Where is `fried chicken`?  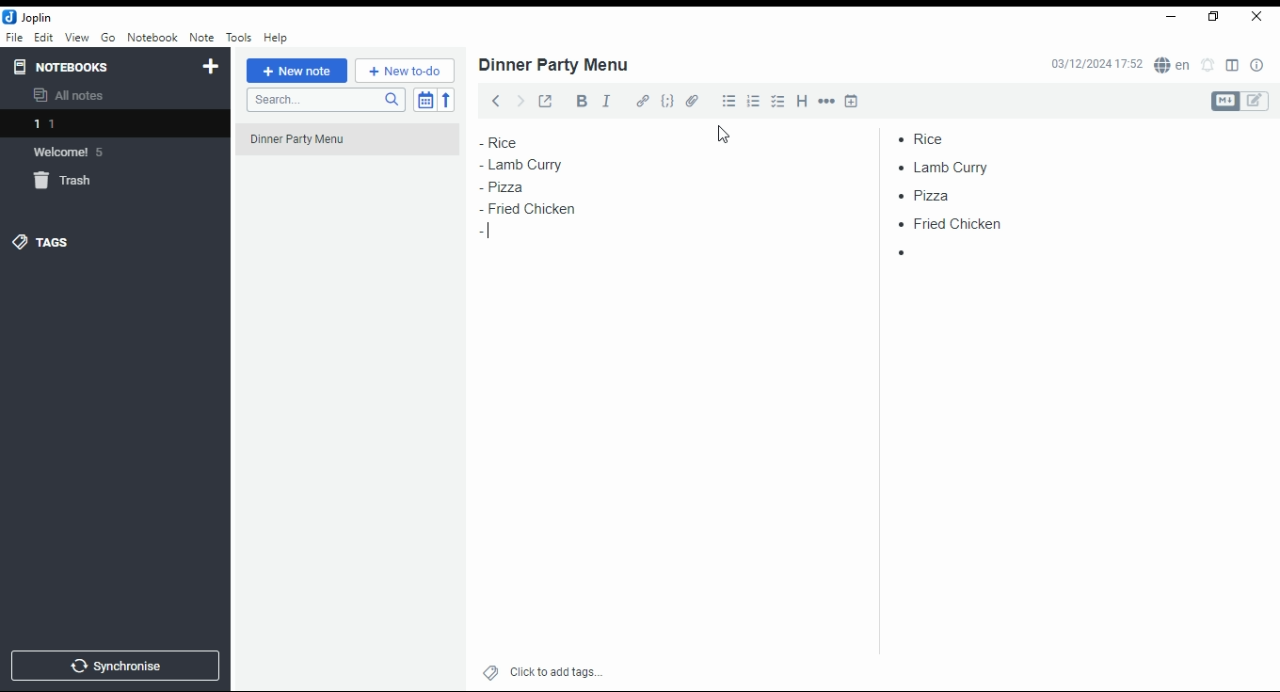
fried chicken is located at coordinates (534, 211).